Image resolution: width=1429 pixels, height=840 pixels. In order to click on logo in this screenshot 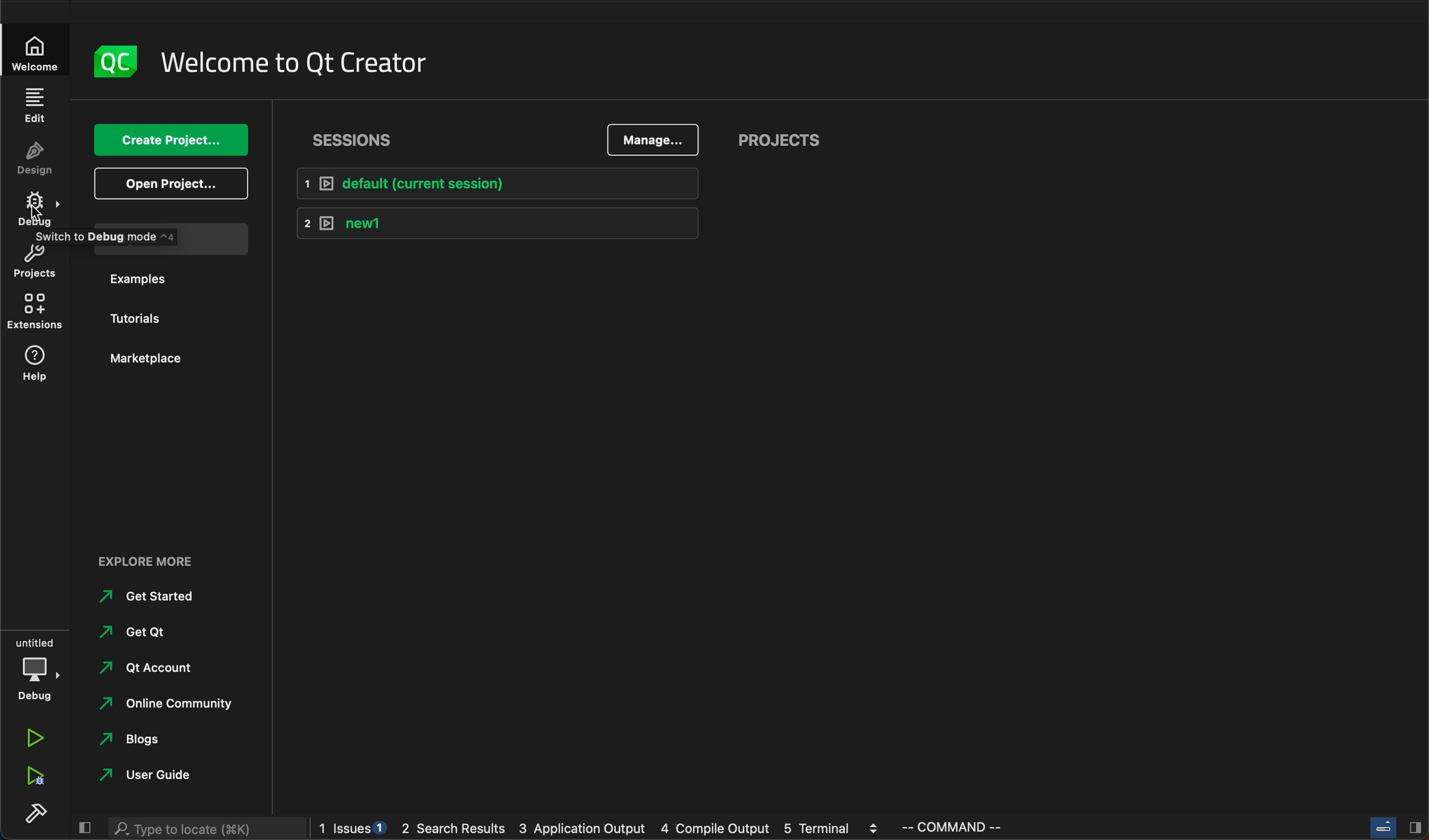, I will do `click(116, 60)`.